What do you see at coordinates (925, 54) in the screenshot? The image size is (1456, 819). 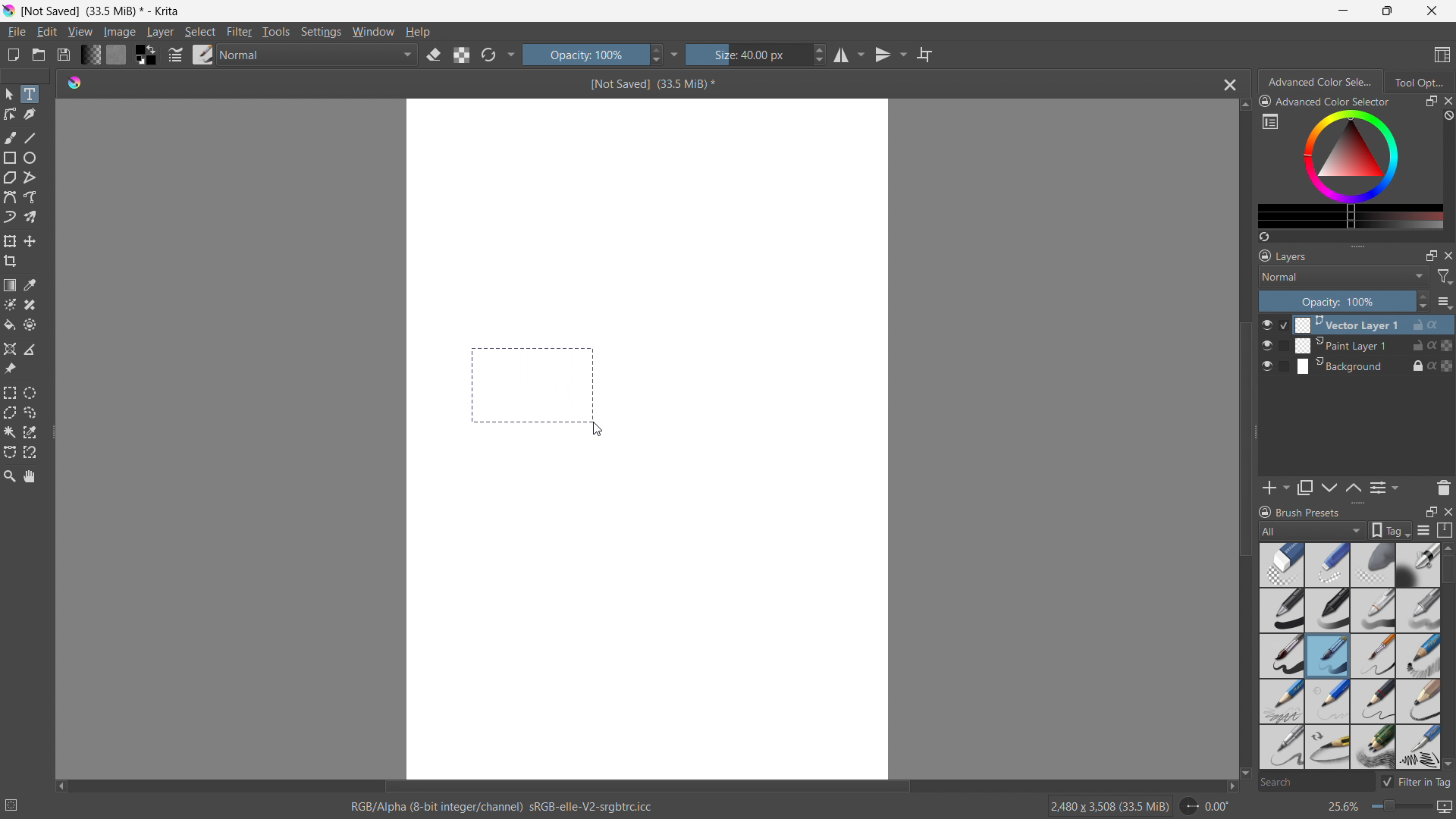 I see `wrap around mode` at bounding box center [925, 54].